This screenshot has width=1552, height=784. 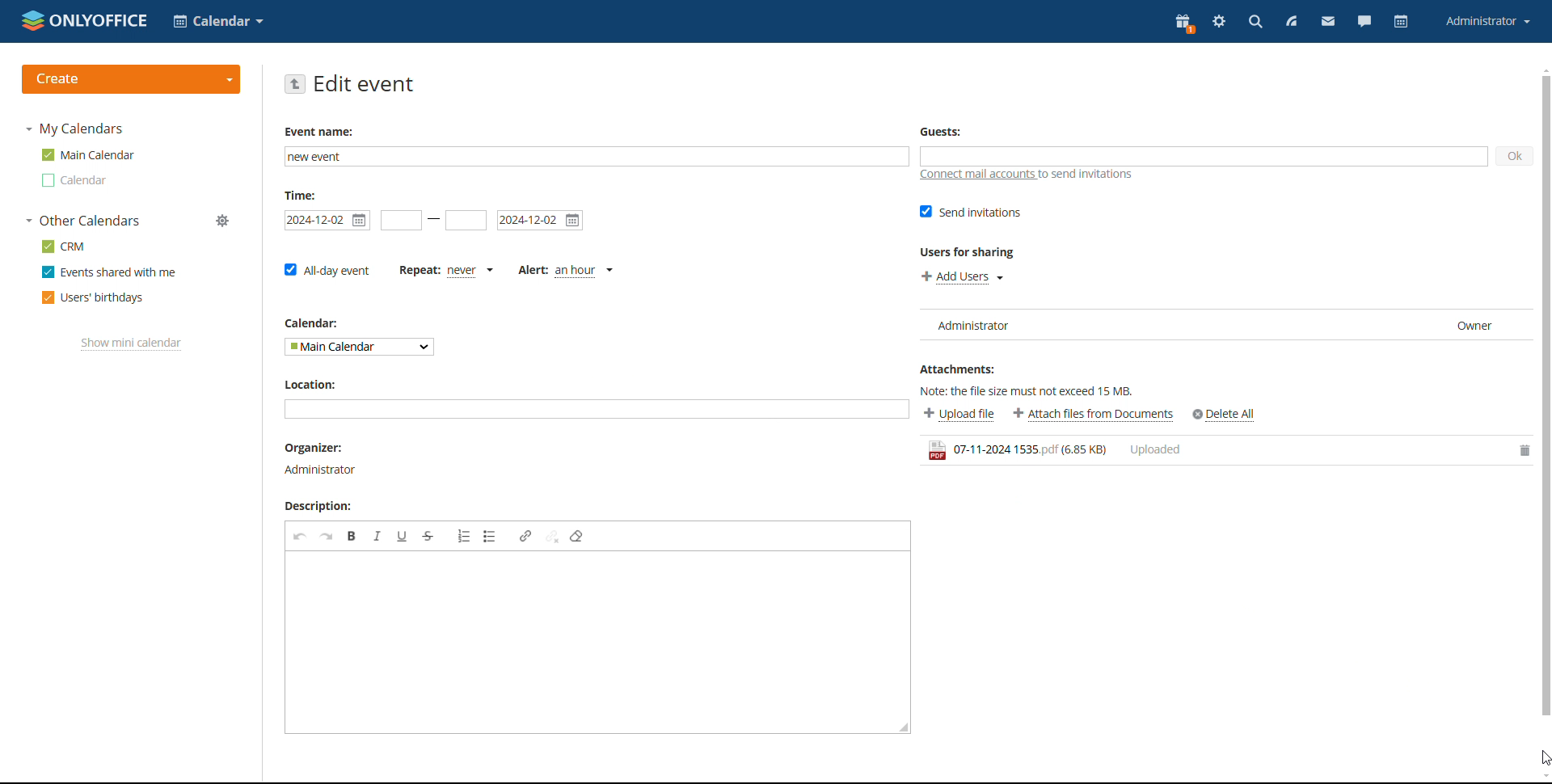 I want to click on upload file, so click(x=959, y=415).